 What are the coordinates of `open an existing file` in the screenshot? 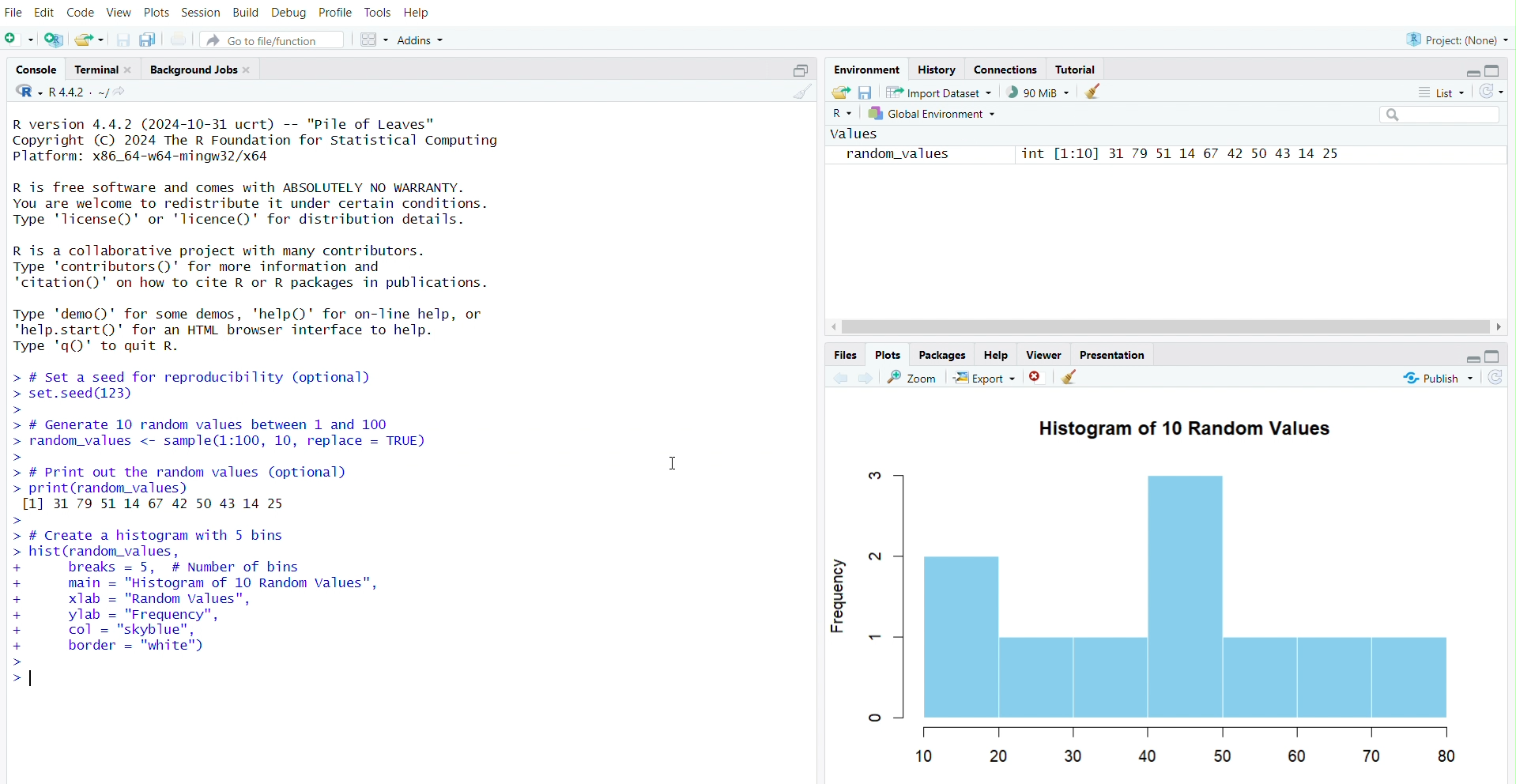 It's located at (88, 39).